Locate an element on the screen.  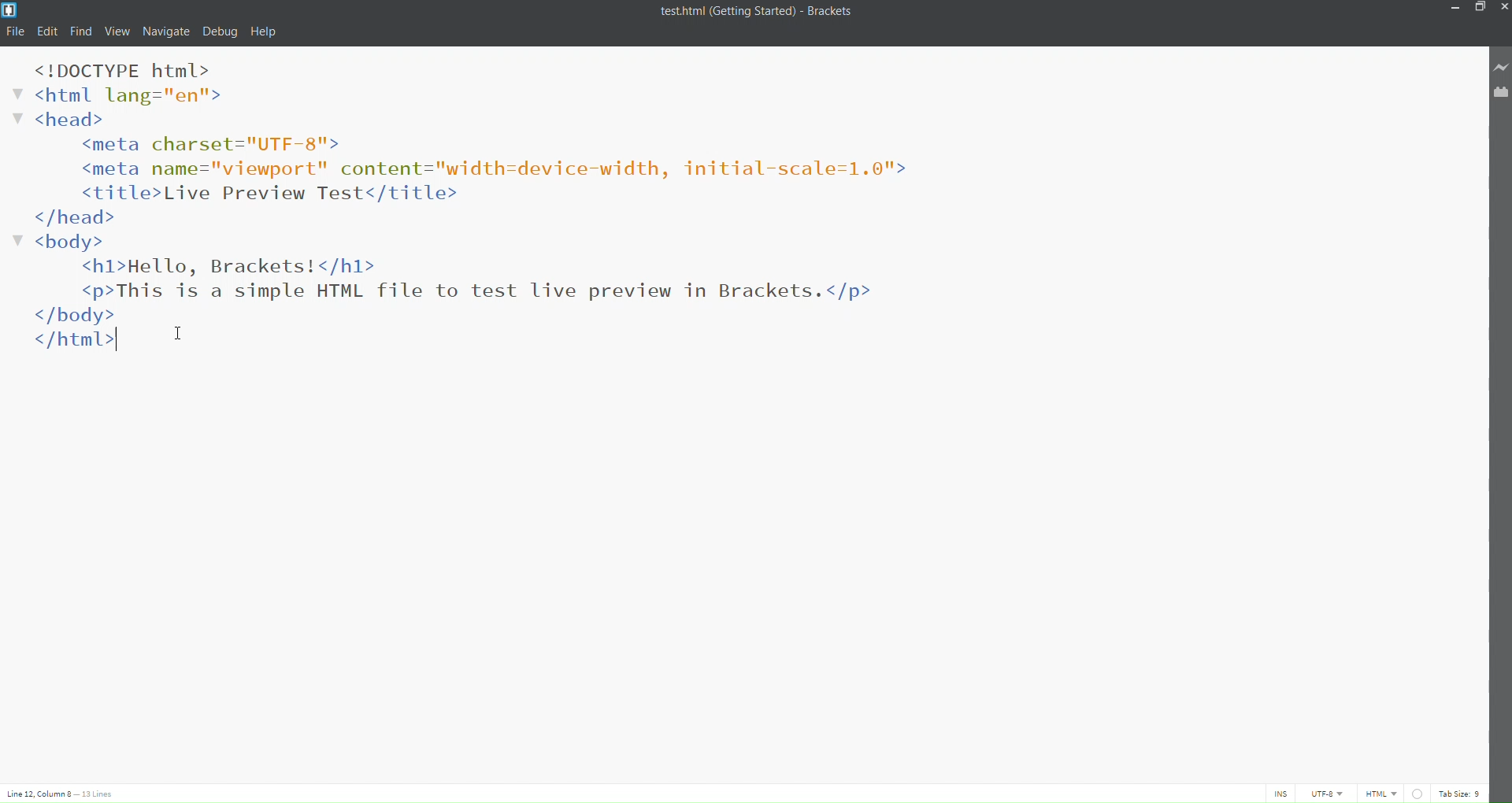
help is located at coordinates (269, 30).